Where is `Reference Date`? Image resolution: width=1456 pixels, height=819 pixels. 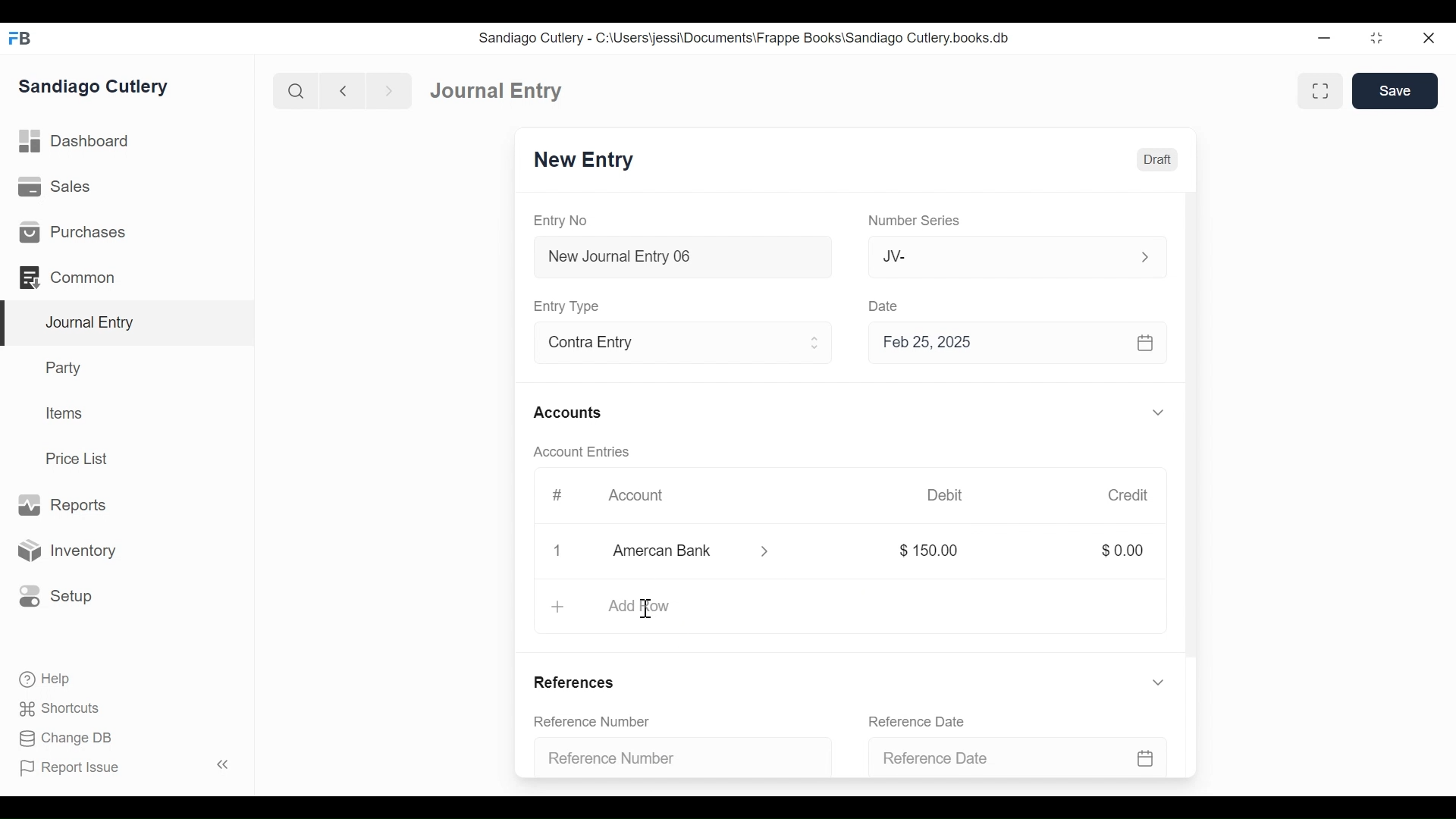 Reference Date is located at coordinates (1021, 756).